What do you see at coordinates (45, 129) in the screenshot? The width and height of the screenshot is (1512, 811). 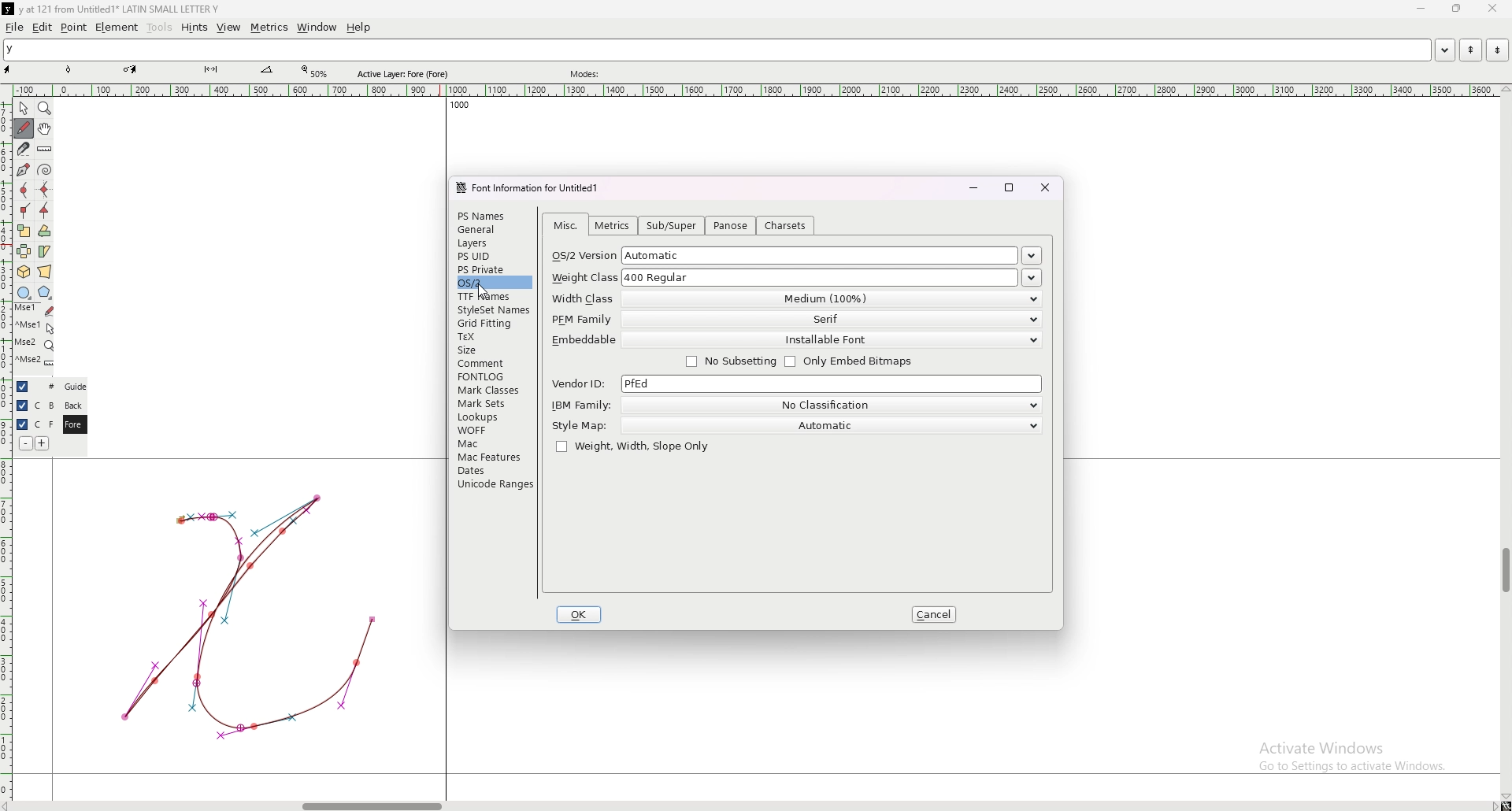 I see `scroll by hand` at bounding box center [45, 129].